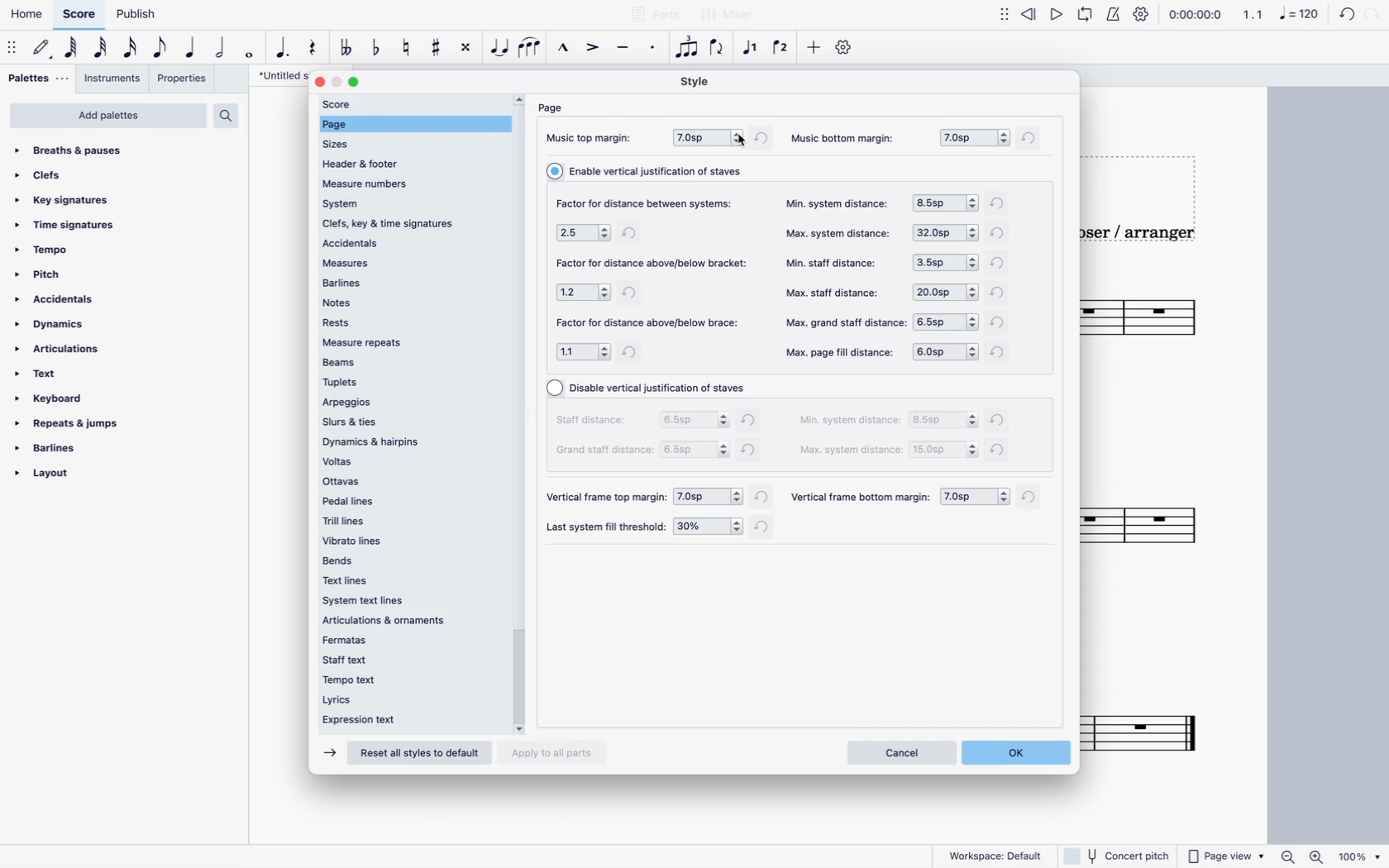  What do you see at coordinates (1021, 752) in the screenshot?
I see `ok` at bounding box center [1021, 752].